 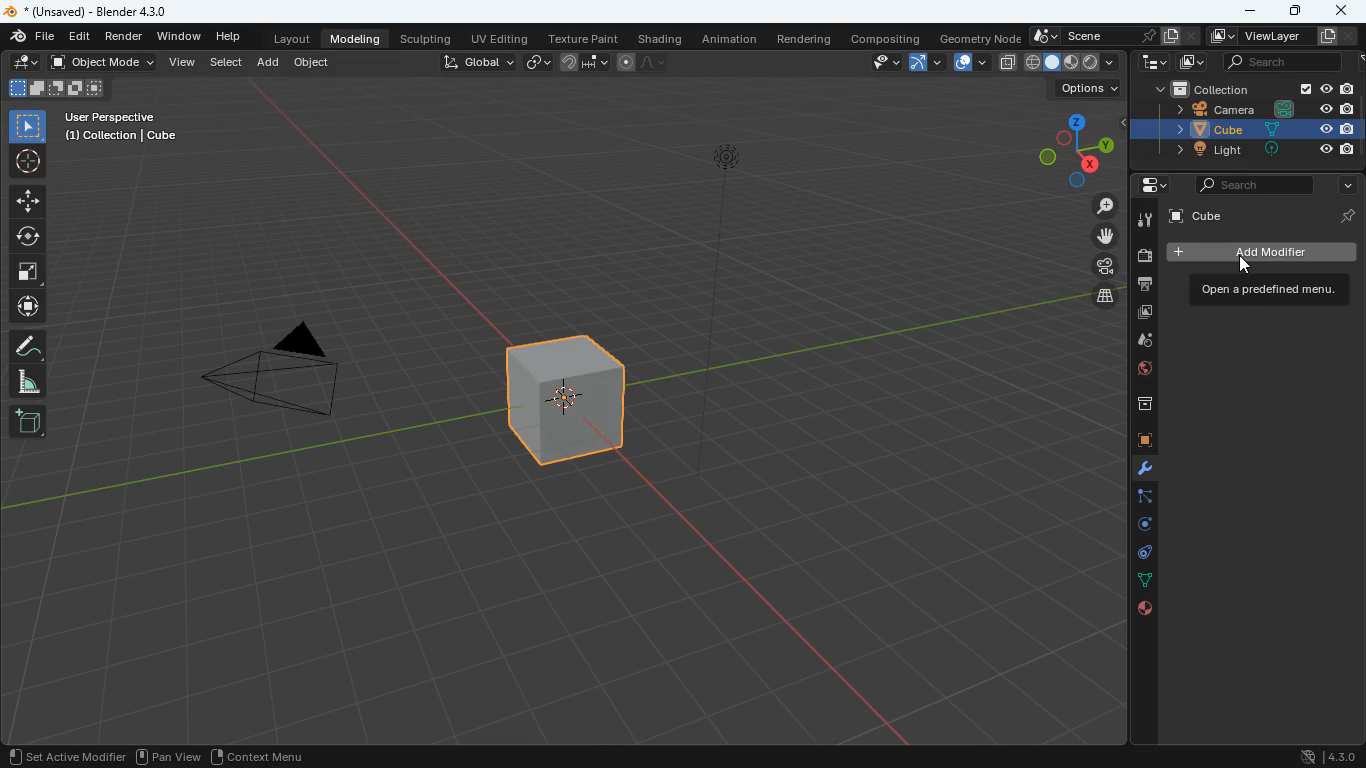 I want to click on line, so click(x=645, y=61).